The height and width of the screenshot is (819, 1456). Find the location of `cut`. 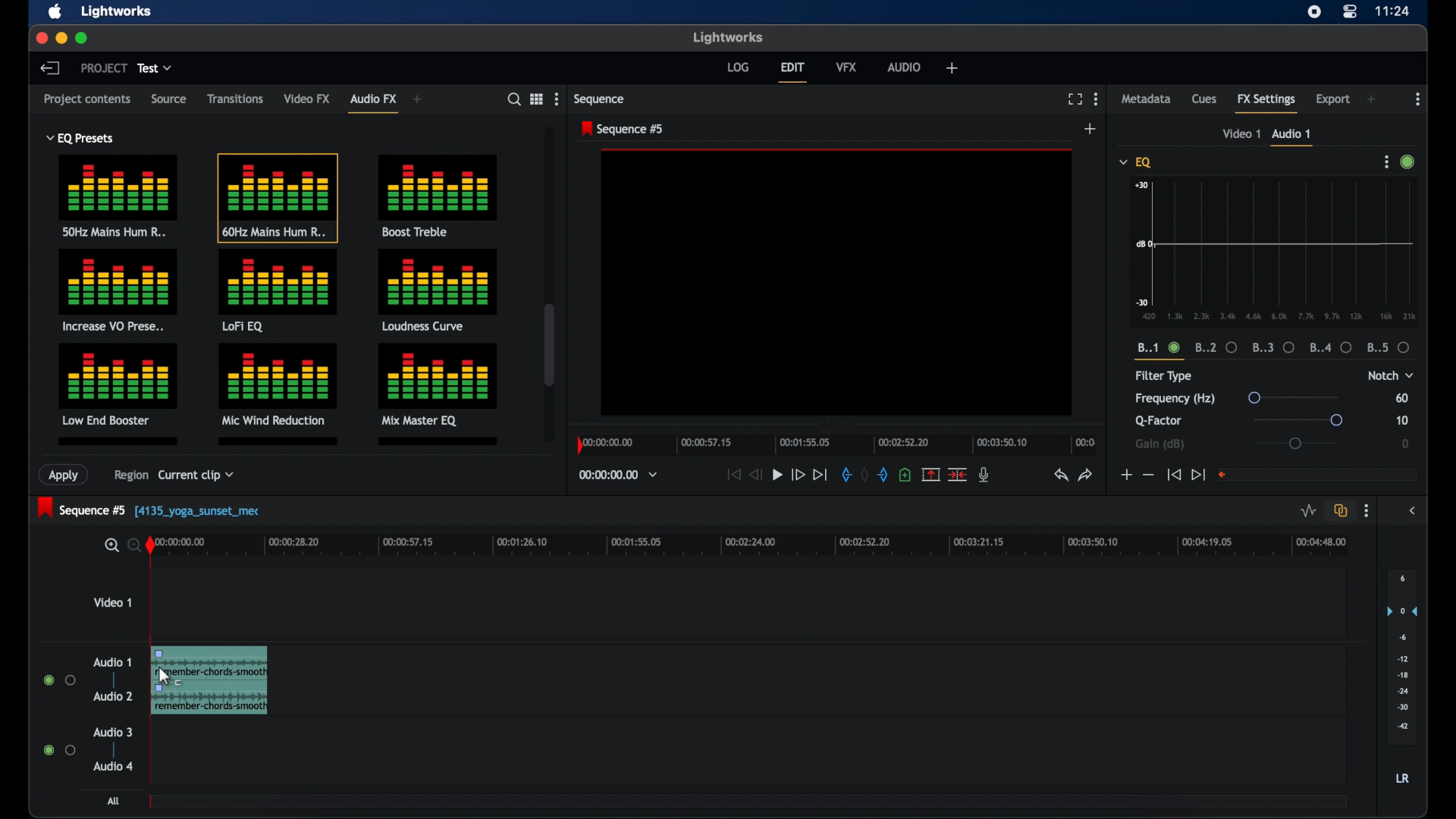

cut is located at coordinates (957, 475).